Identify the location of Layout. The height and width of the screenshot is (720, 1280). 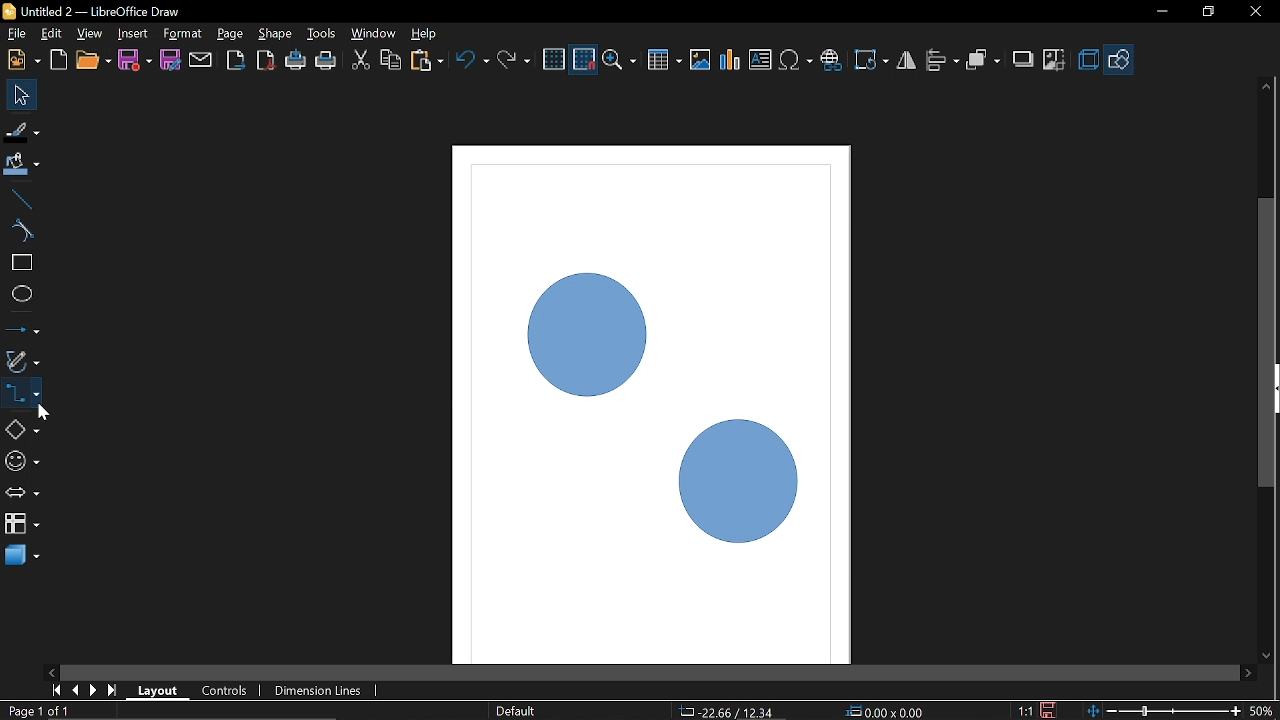
(160, 691).